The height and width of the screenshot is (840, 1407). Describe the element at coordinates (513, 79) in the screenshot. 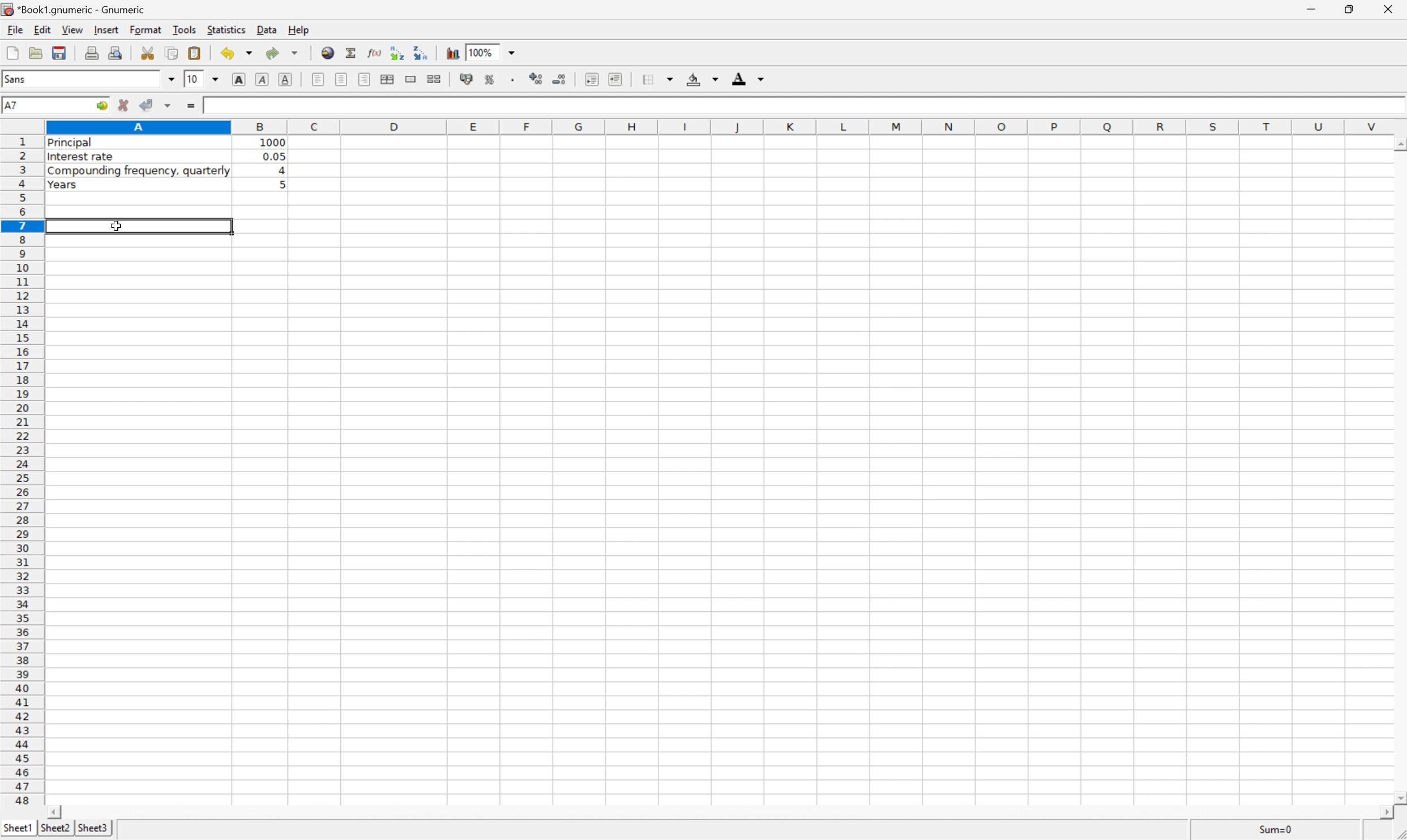

I see `Set the format of the selected cells to include a thousands separator` at that location.